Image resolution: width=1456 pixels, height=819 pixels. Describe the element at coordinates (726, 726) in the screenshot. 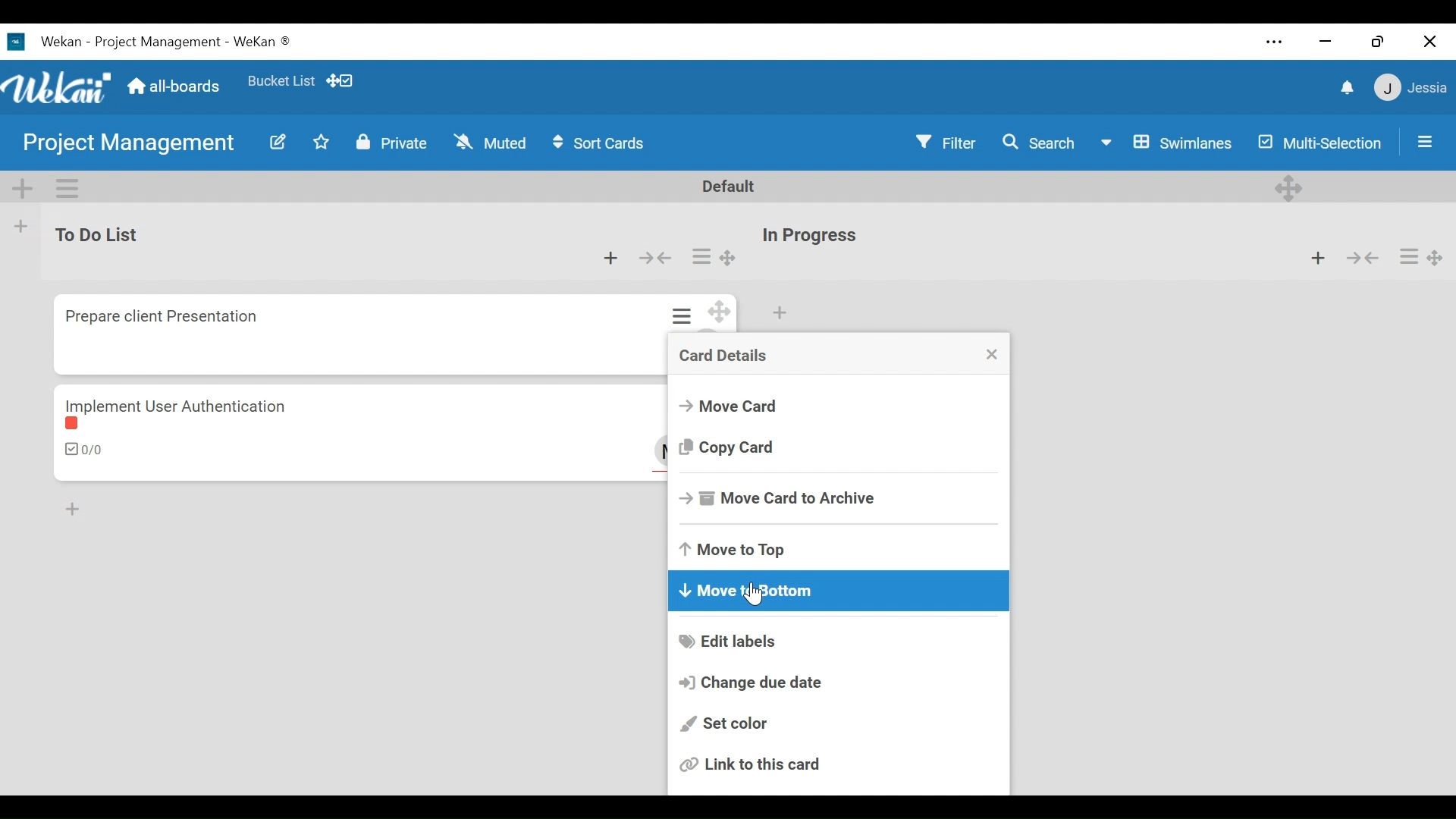

I see `Set color` at that location.